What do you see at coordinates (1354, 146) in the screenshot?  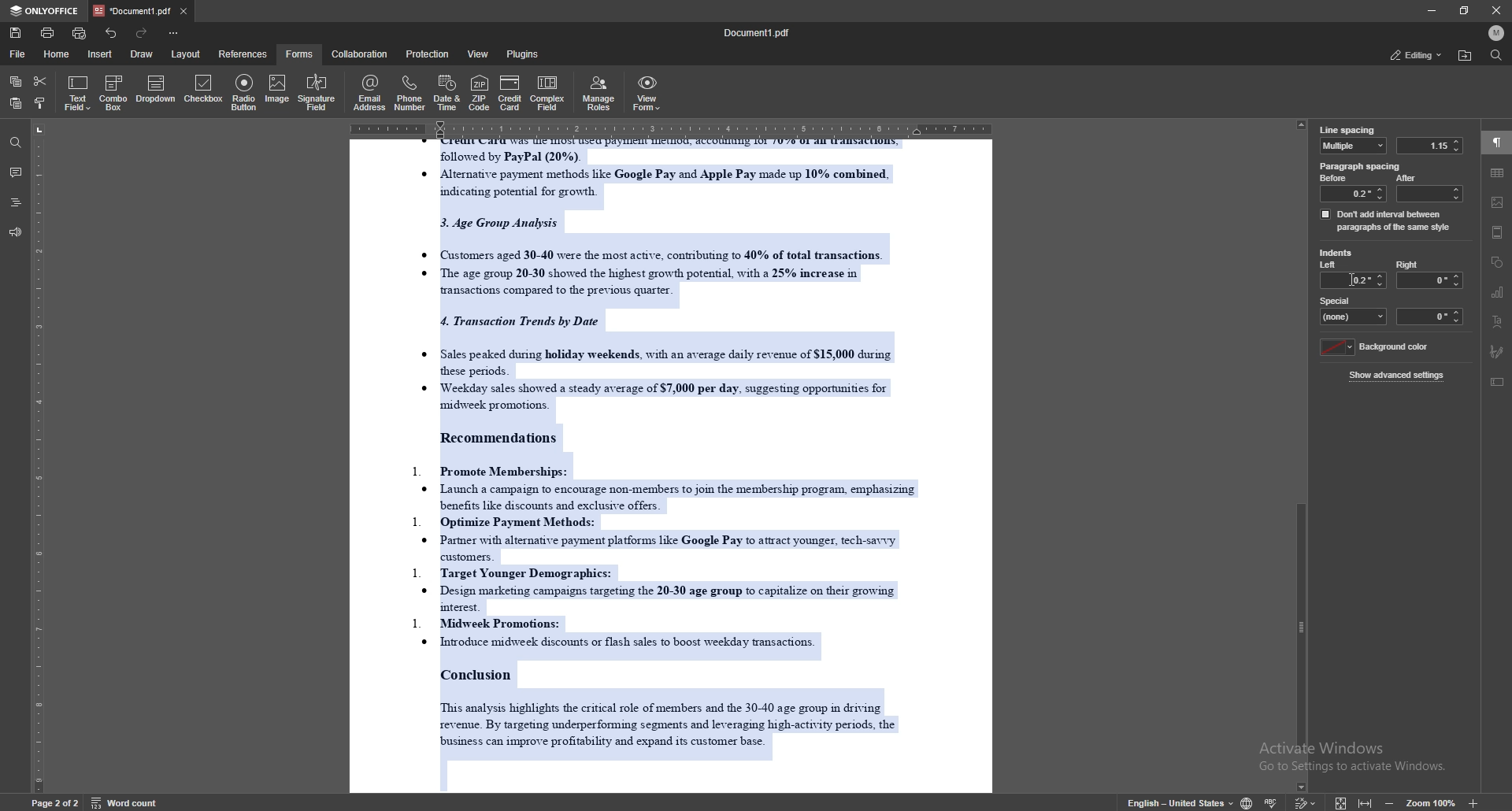 I see `line spacing type` at bounding box center [1354, 146].